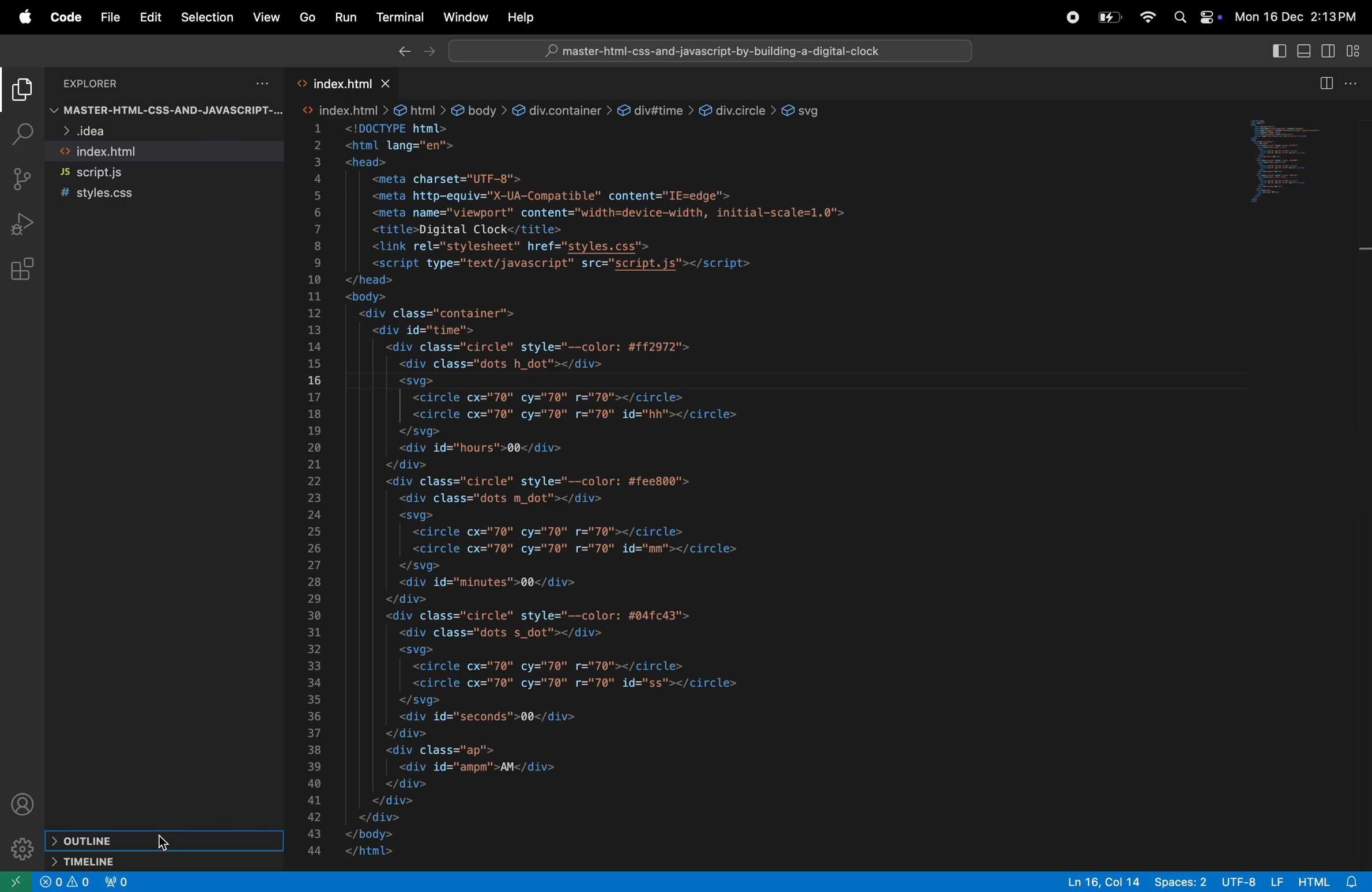  What do you see at coordinates (400, 20) in the screenshot?
I see `terminal` at bounding box center [400, 20].